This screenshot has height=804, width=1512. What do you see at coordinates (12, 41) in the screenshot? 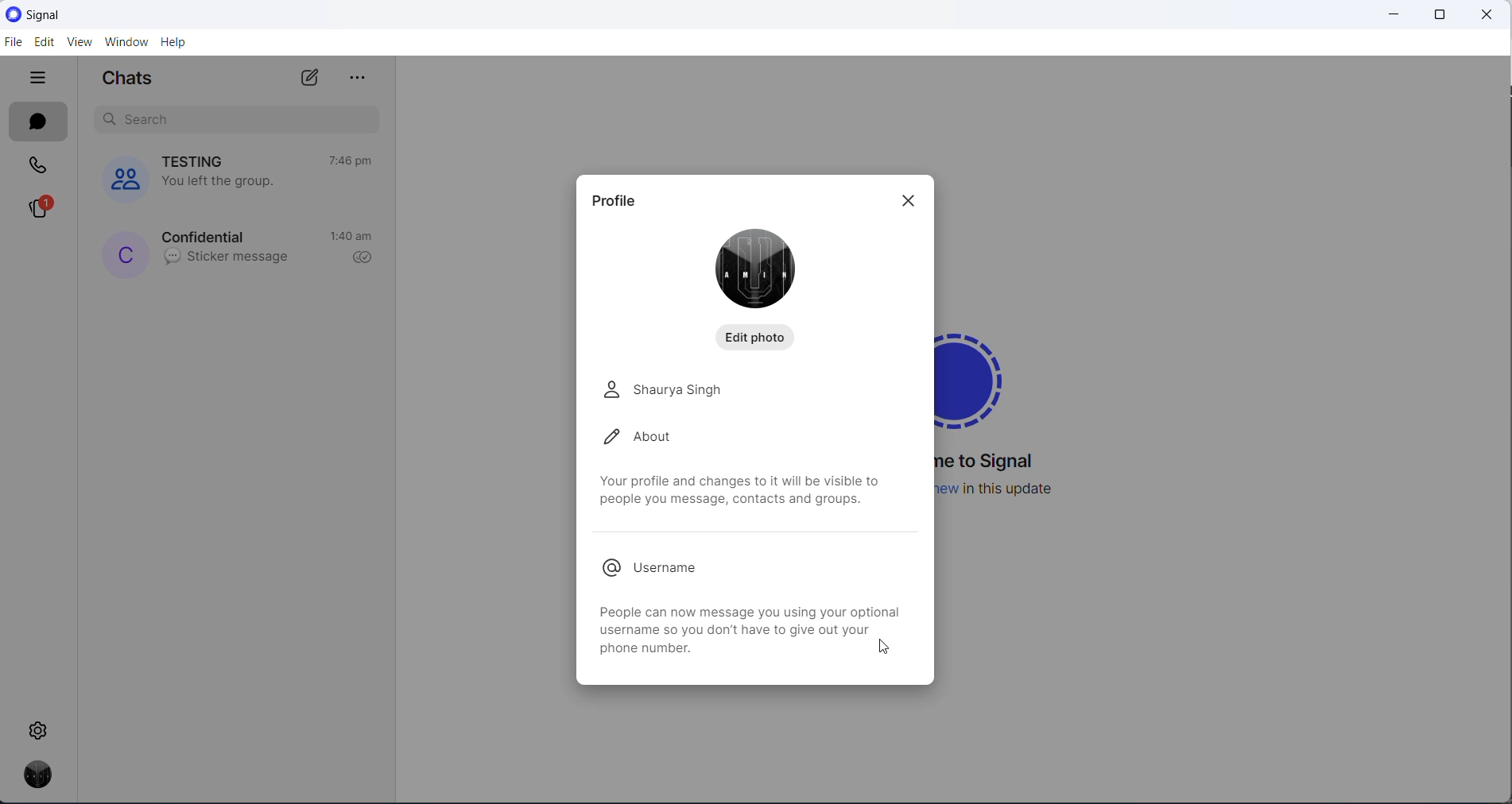
I see `FILE` at bounding box center [12, 41].